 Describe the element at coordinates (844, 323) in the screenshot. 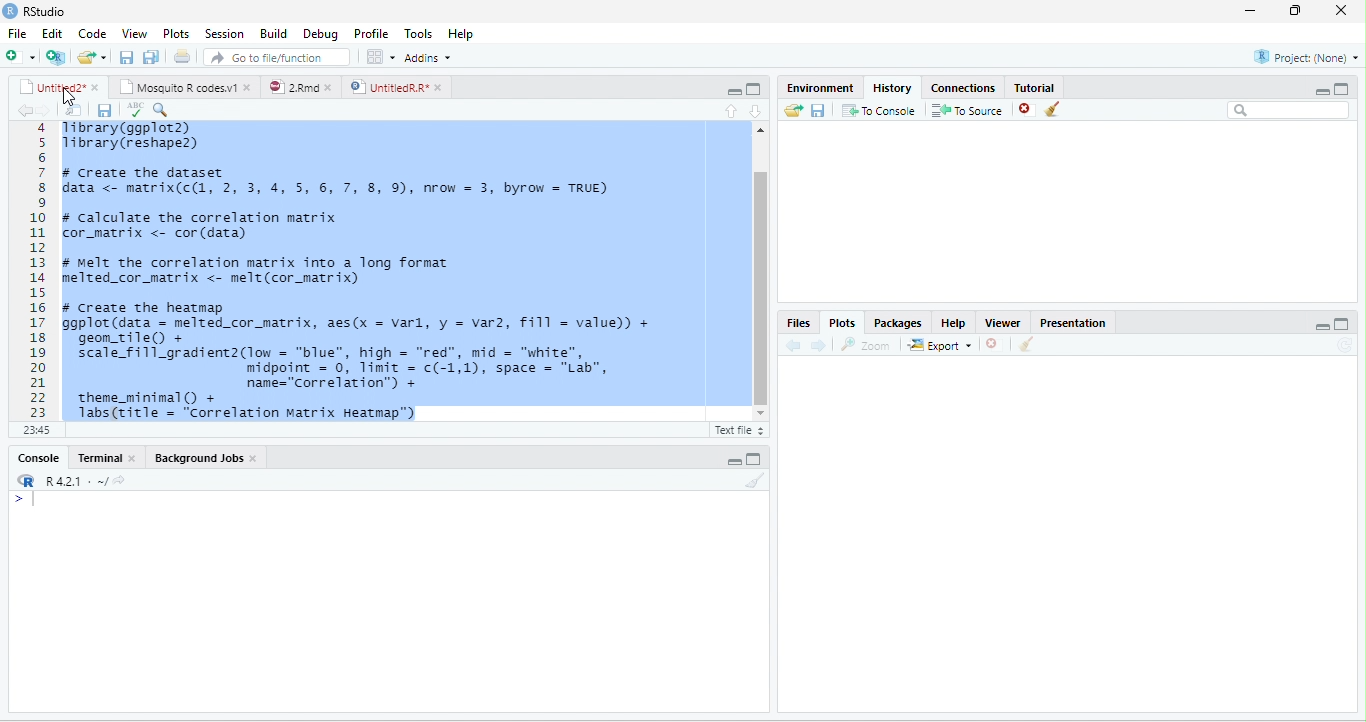

I see `plots` at that location.